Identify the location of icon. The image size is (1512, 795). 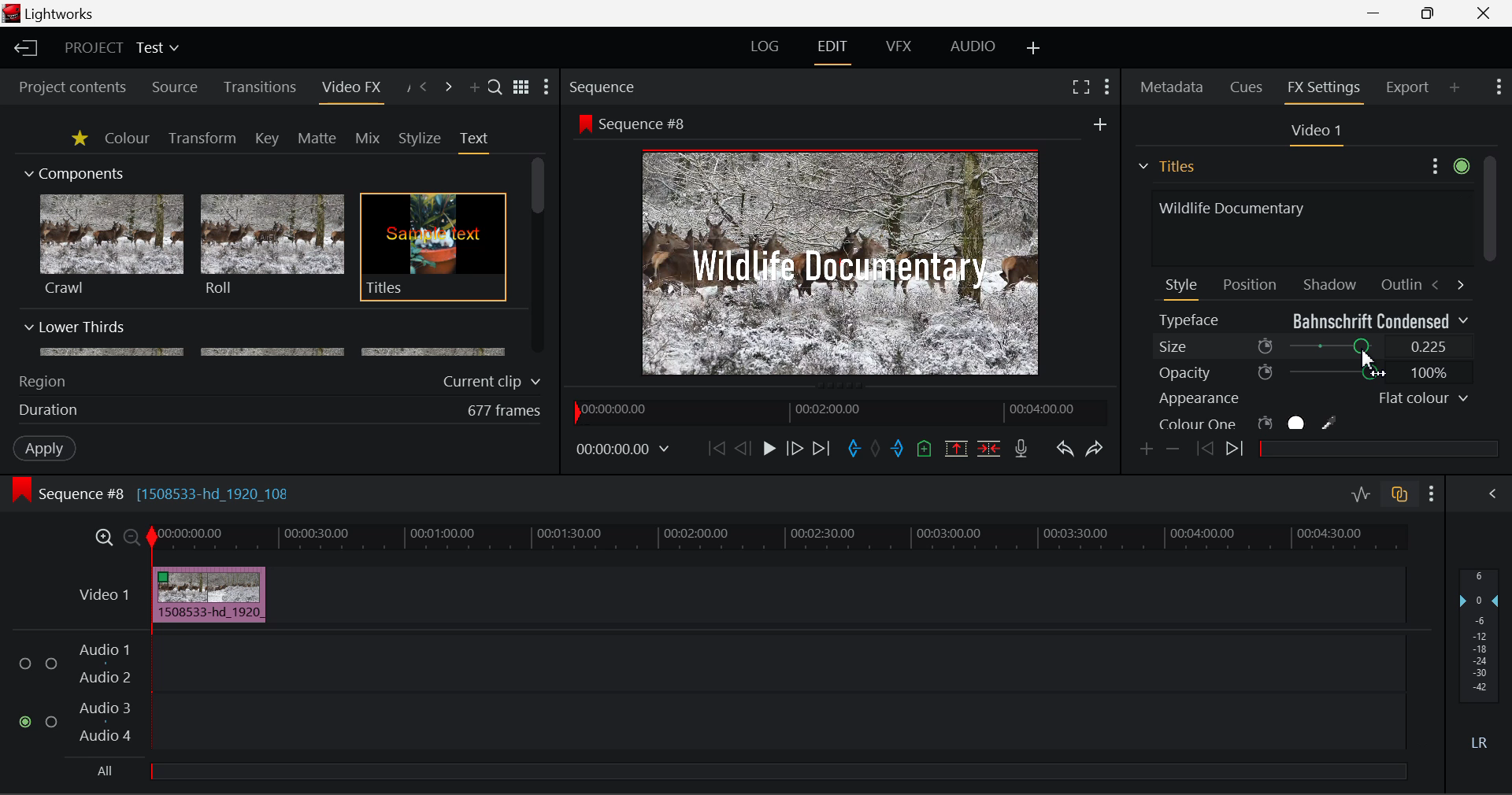
(584, 123).